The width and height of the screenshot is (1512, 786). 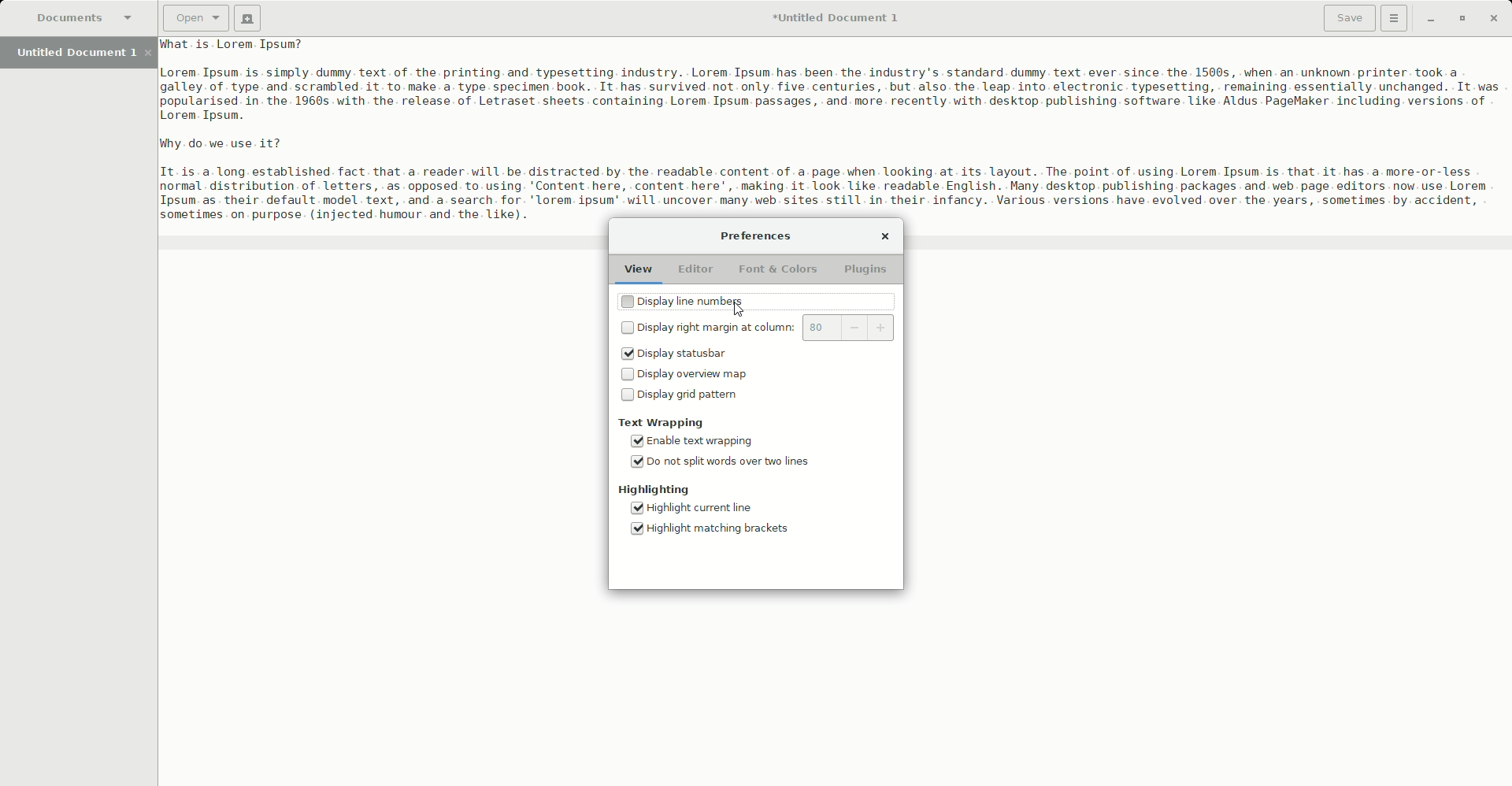 What do you see at coordinates (246, 18) in the screenshot?
I see `New` at bounding box center [246, 18].